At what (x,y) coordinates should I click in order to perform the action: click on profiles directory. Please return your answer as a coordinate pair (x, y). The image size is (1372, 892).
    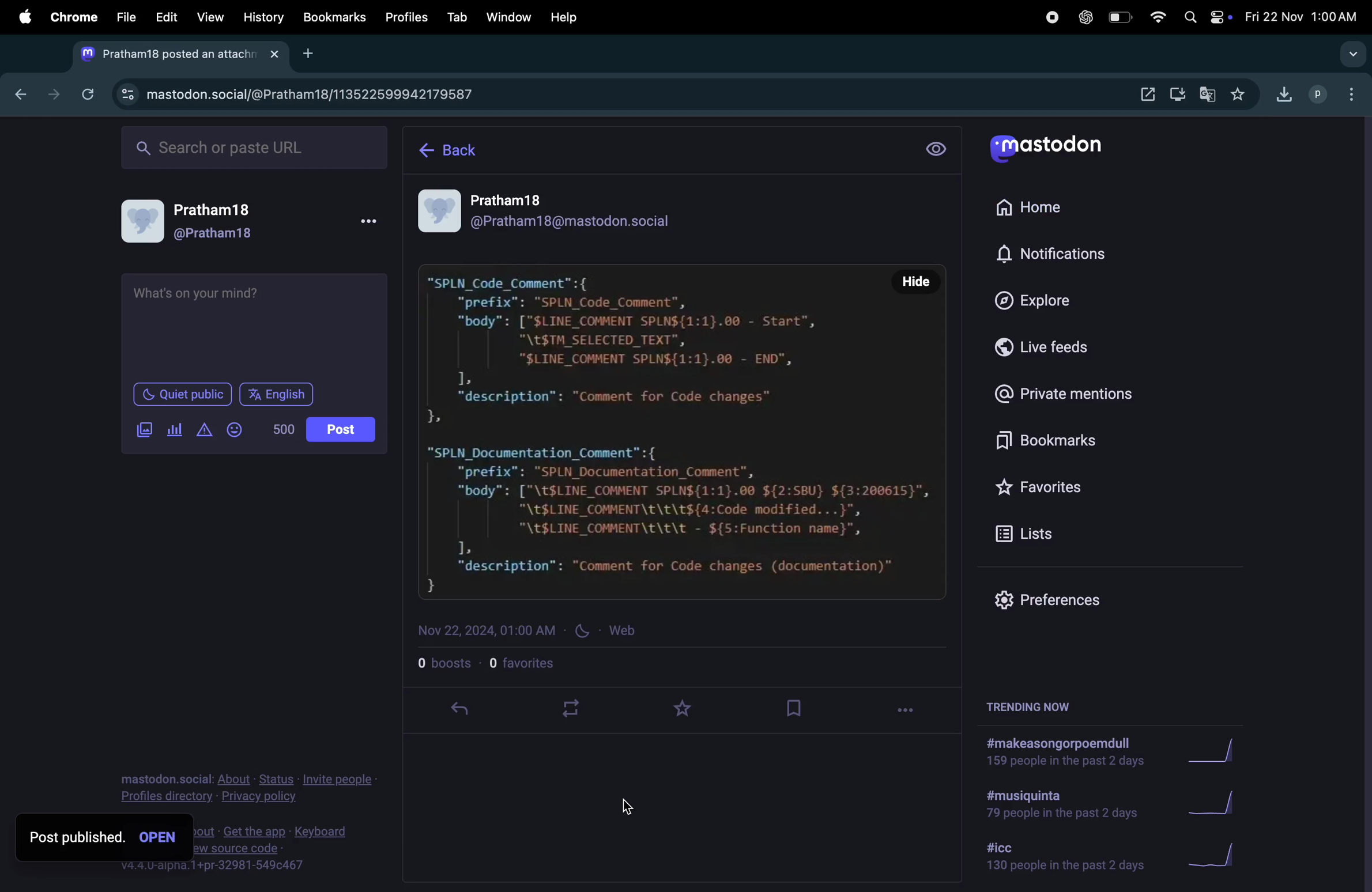
    Looking at the image, I should click on (168, 797).